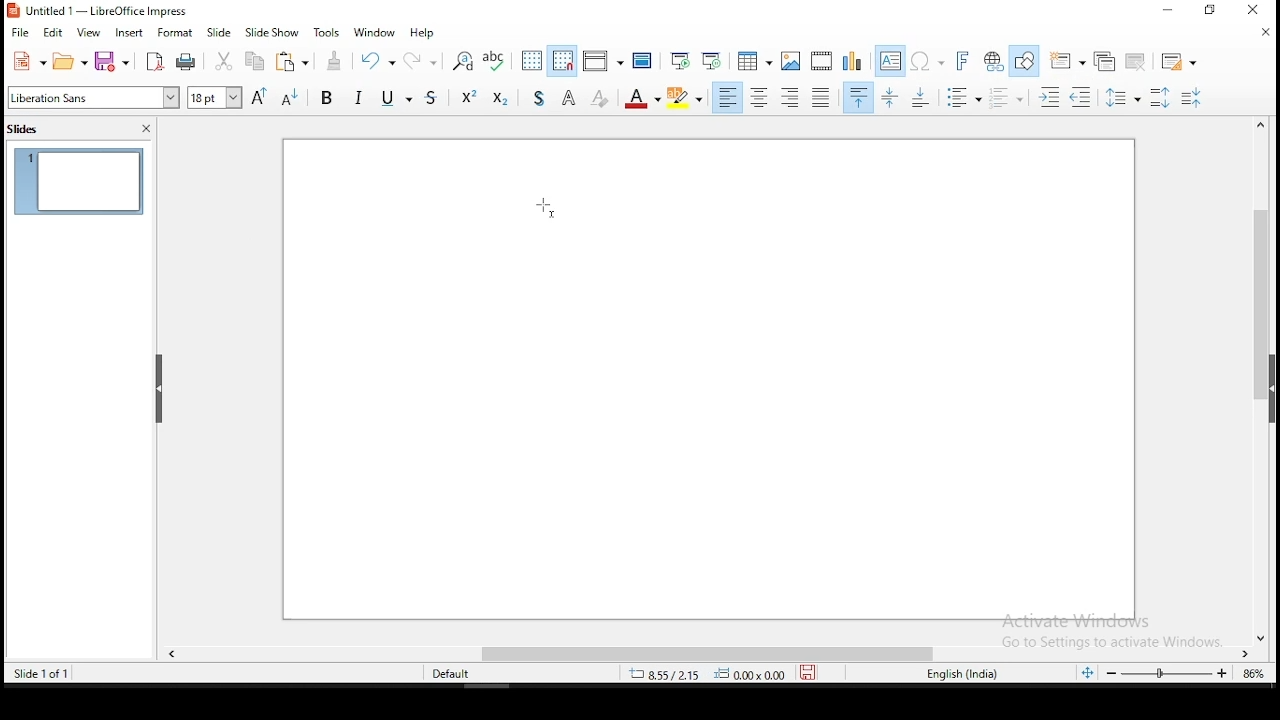 The width and height of the screenshot is (1280, 720). What do you see at coordinates (807, 671) in the screenshot?
I see `save` at bounding box center [807, 671].